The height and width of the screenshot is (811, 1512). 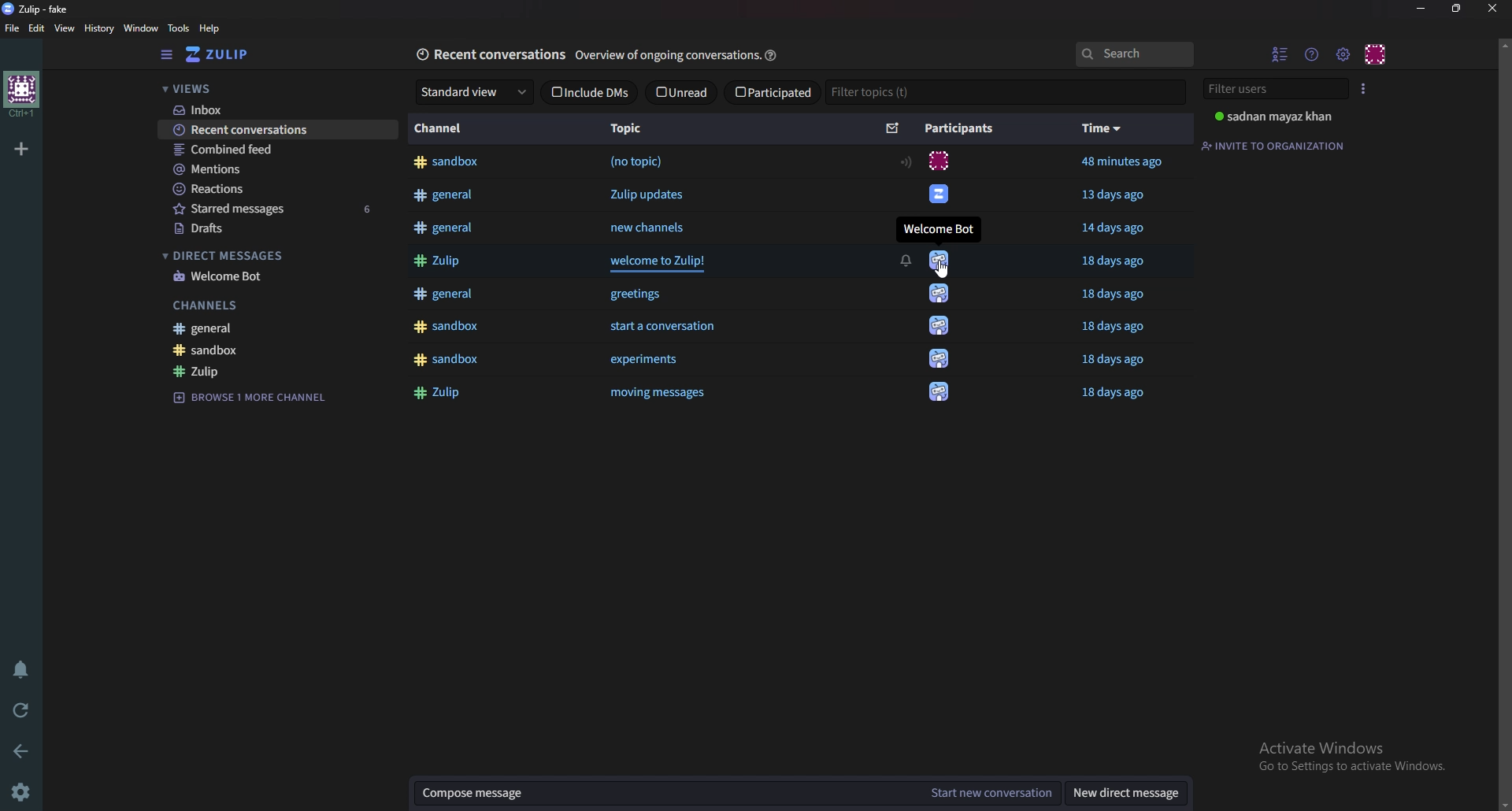 I want to click on settings, so click(x=27, y=791).